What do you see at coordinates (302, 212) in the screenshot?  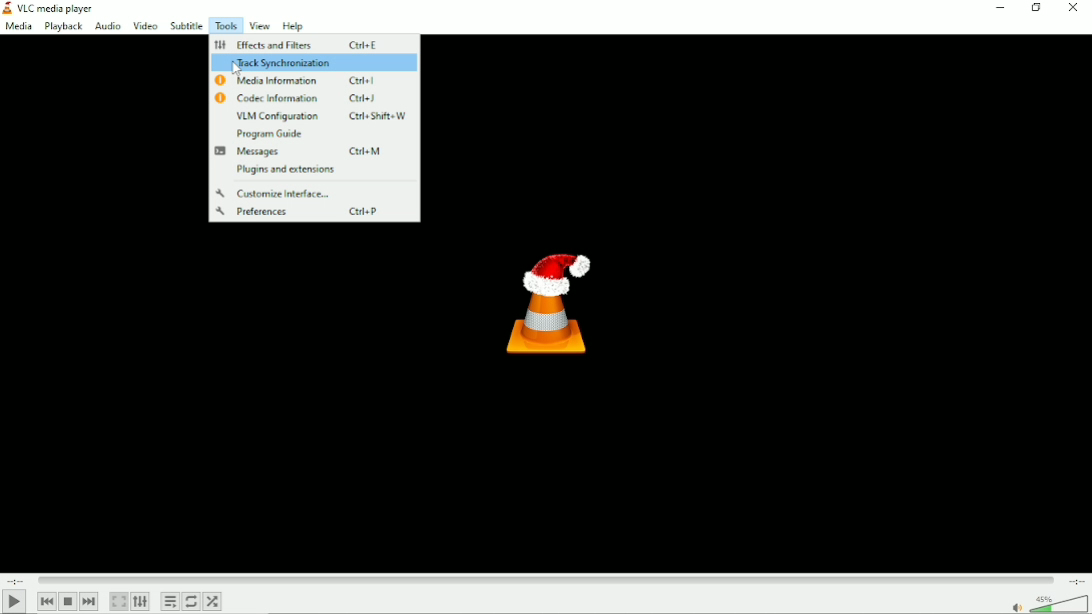 I see `Preferences` at bounding box center [302, 212].